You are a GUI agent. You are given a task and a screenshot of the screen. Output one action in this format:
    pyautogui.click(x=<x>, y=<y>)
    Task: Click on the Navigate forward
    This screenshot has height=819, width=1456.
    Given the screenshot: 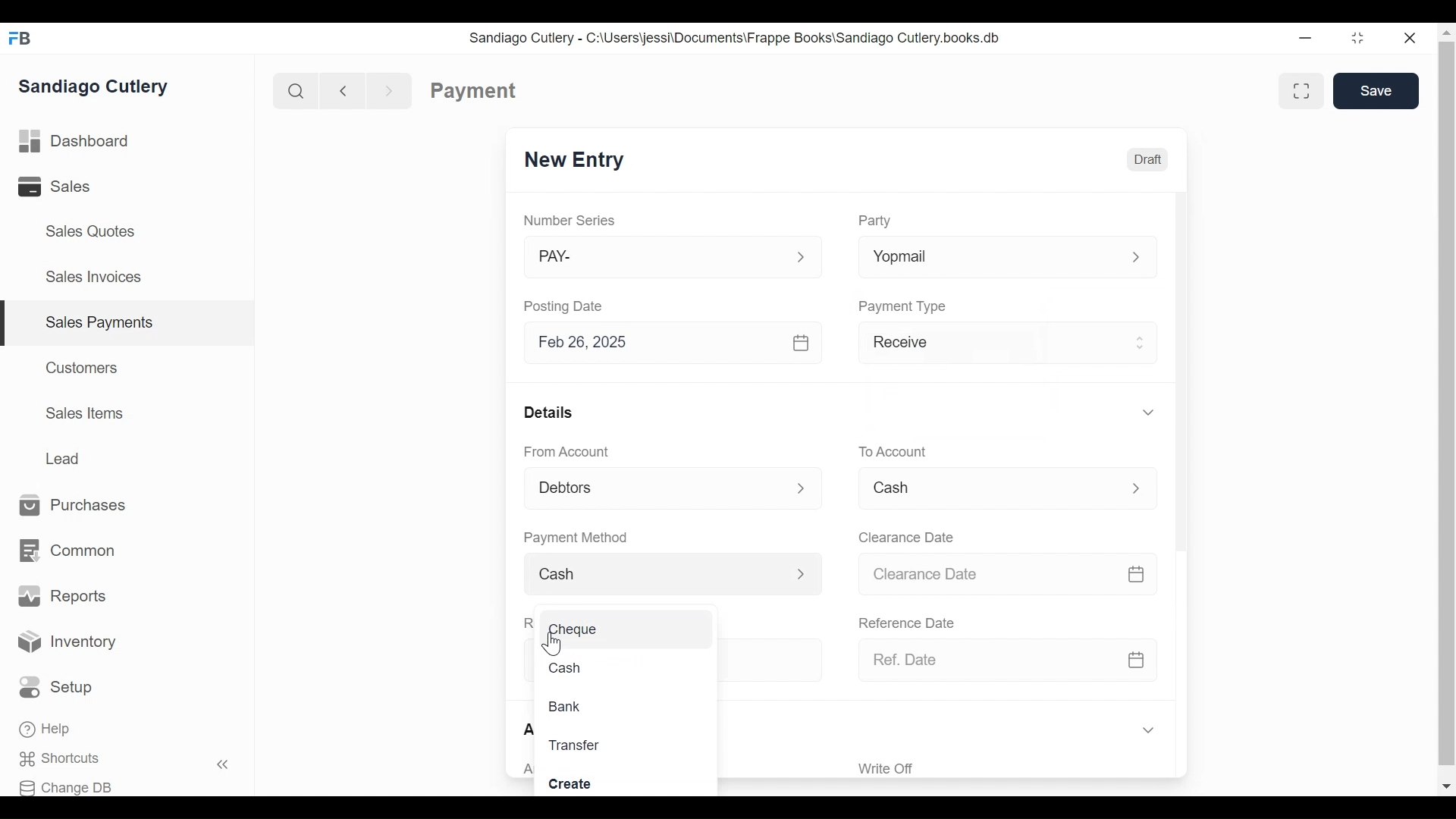 What is the action you would take?
    pyautogui.click(x=390, y=89)
    